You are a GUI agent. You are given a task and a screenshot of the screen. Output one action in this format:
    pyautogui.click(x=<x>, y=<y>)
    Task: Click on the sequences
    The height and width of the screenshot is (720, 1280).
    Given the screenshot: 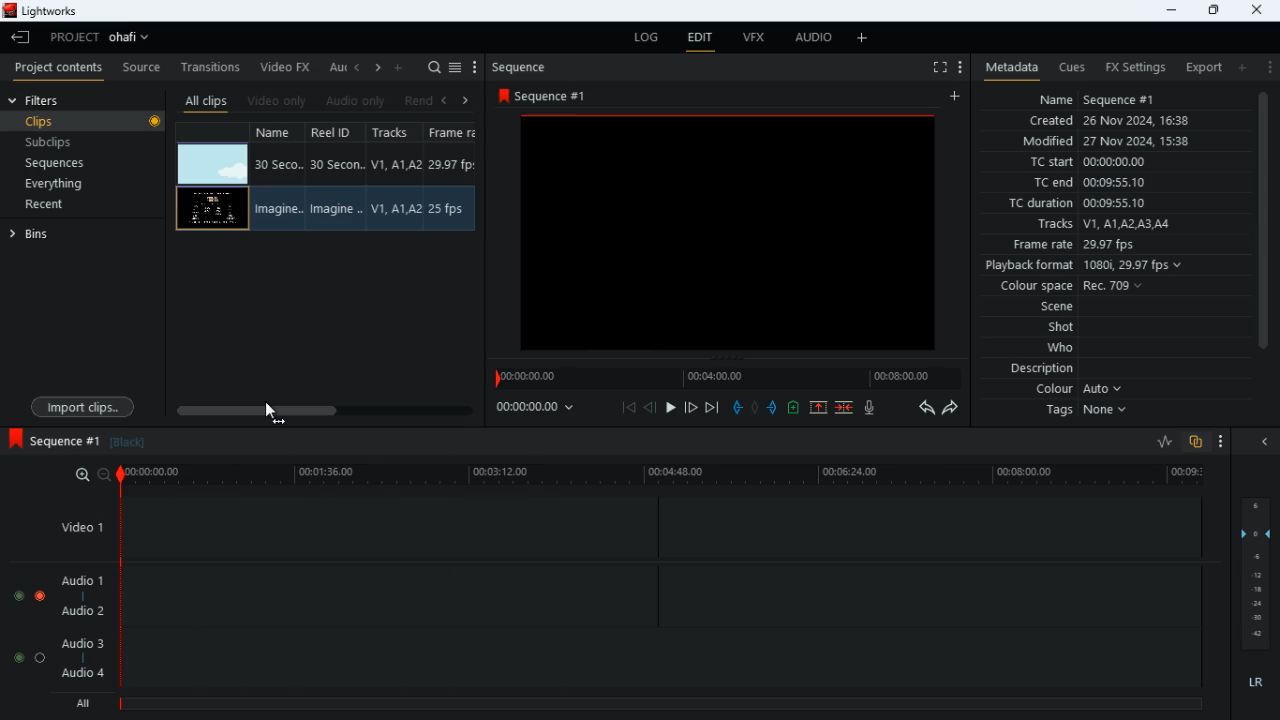 What is the action you would take?
    pyautogui.click(x=62, y=164)
    